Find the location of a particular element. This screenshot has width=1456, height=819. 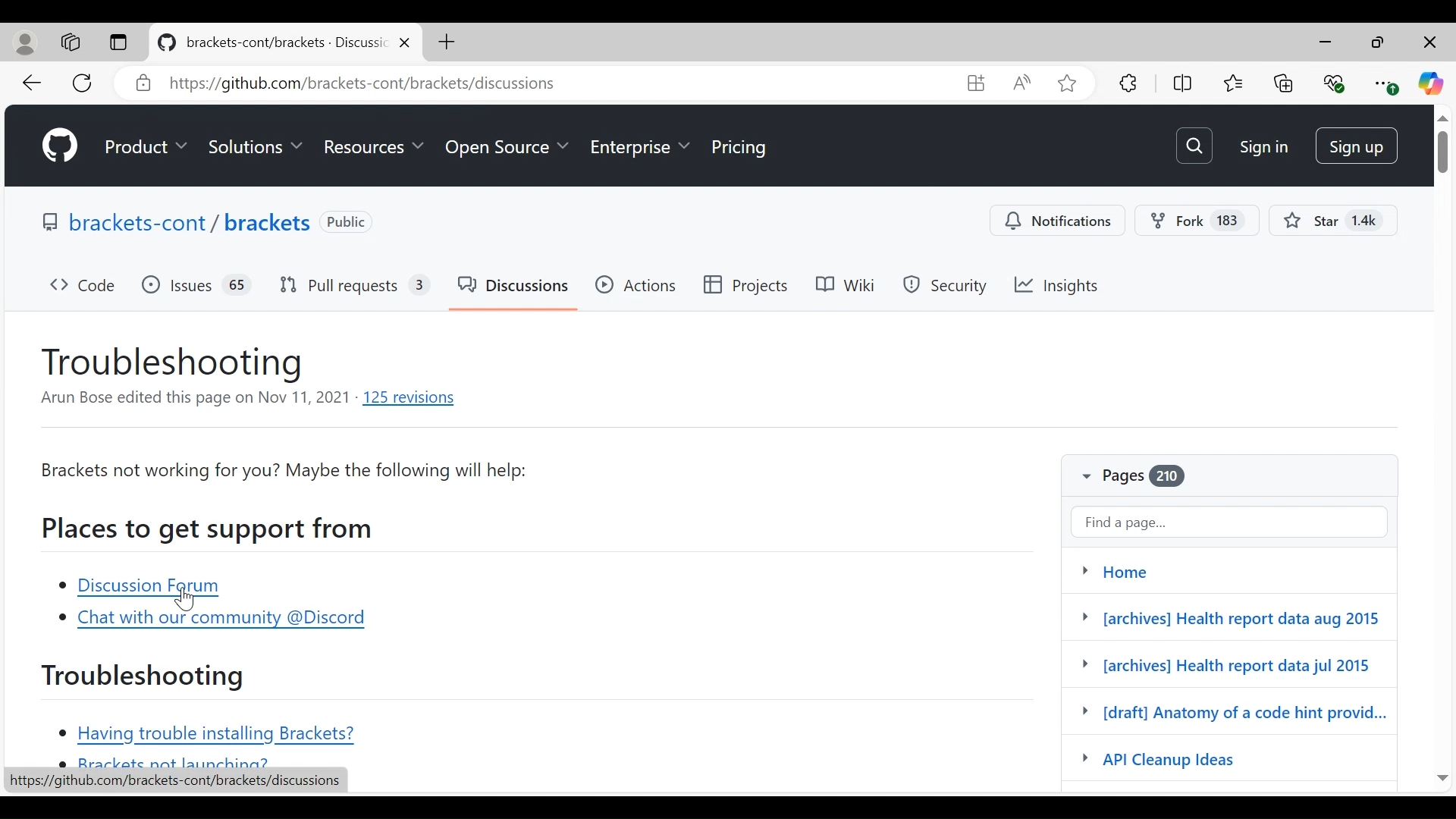

Fork is located at coordinates (1196, 221).